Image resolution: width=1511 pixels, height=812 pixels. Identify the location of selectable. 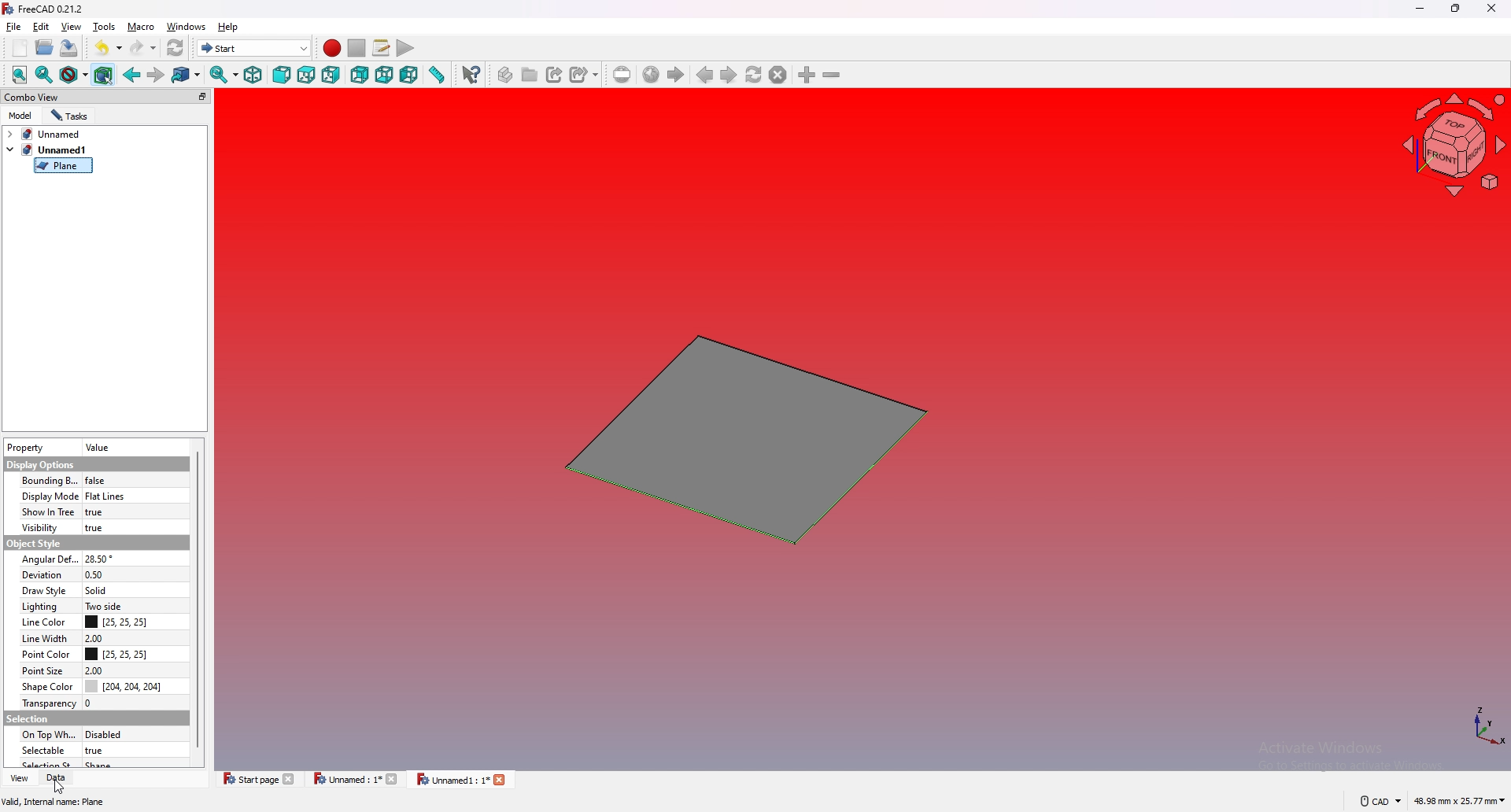
(50, 750).